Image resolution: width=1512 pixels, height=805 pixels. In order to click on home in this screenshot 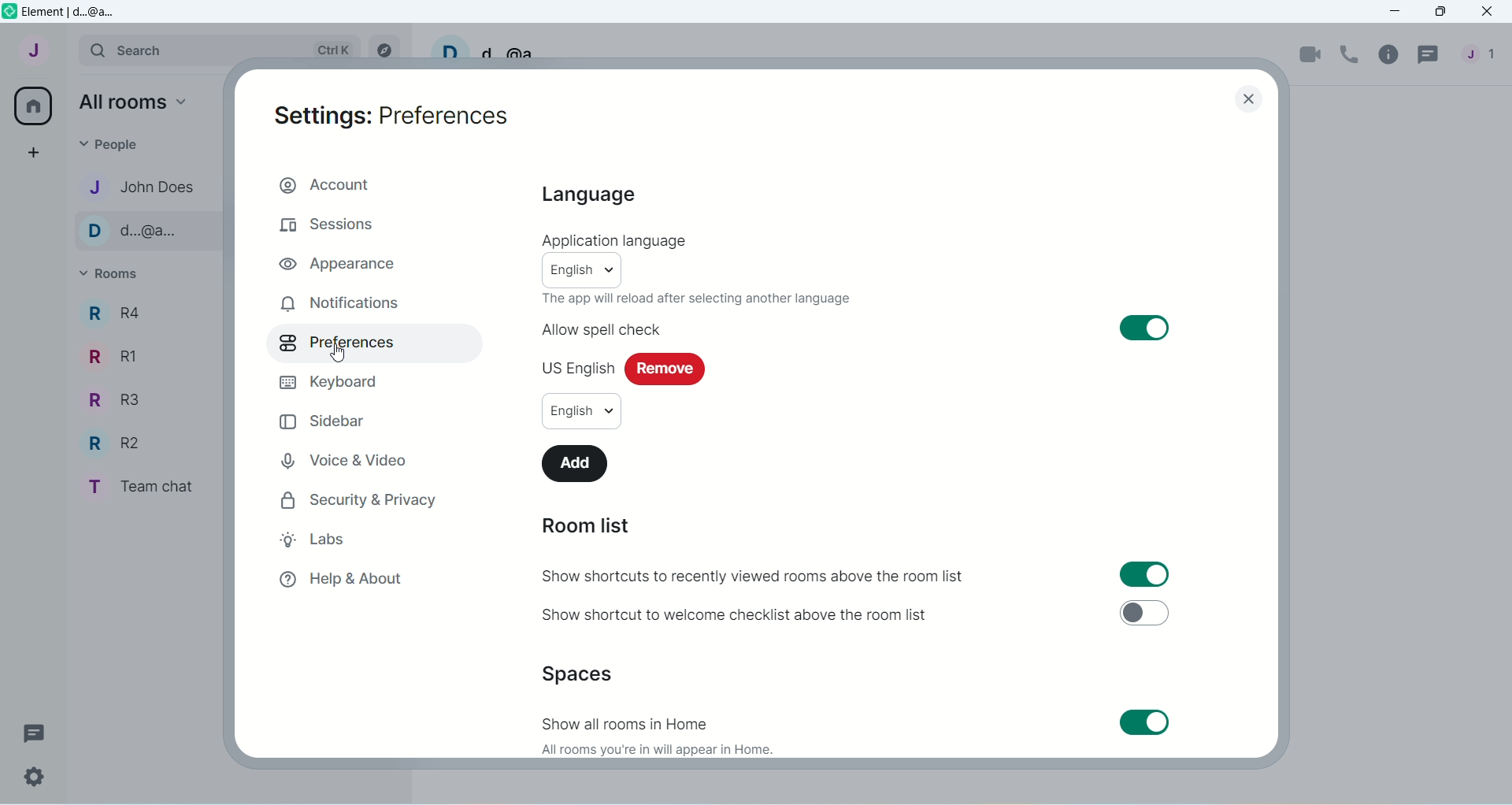, I will do `click(30, 106)`.